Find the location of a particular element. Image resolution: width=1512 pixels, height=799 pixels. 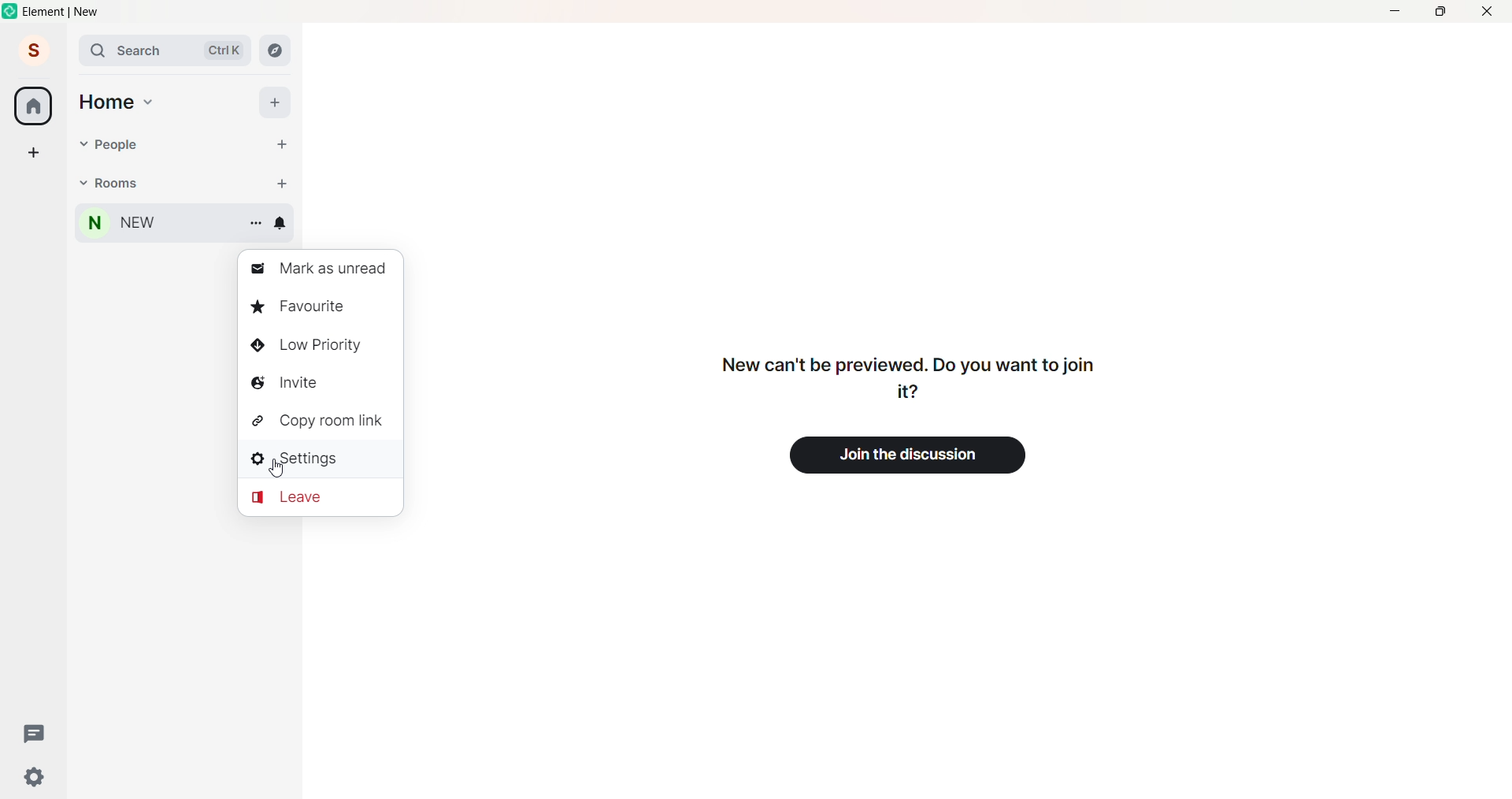

favourite is located at coordinates (308, 304).